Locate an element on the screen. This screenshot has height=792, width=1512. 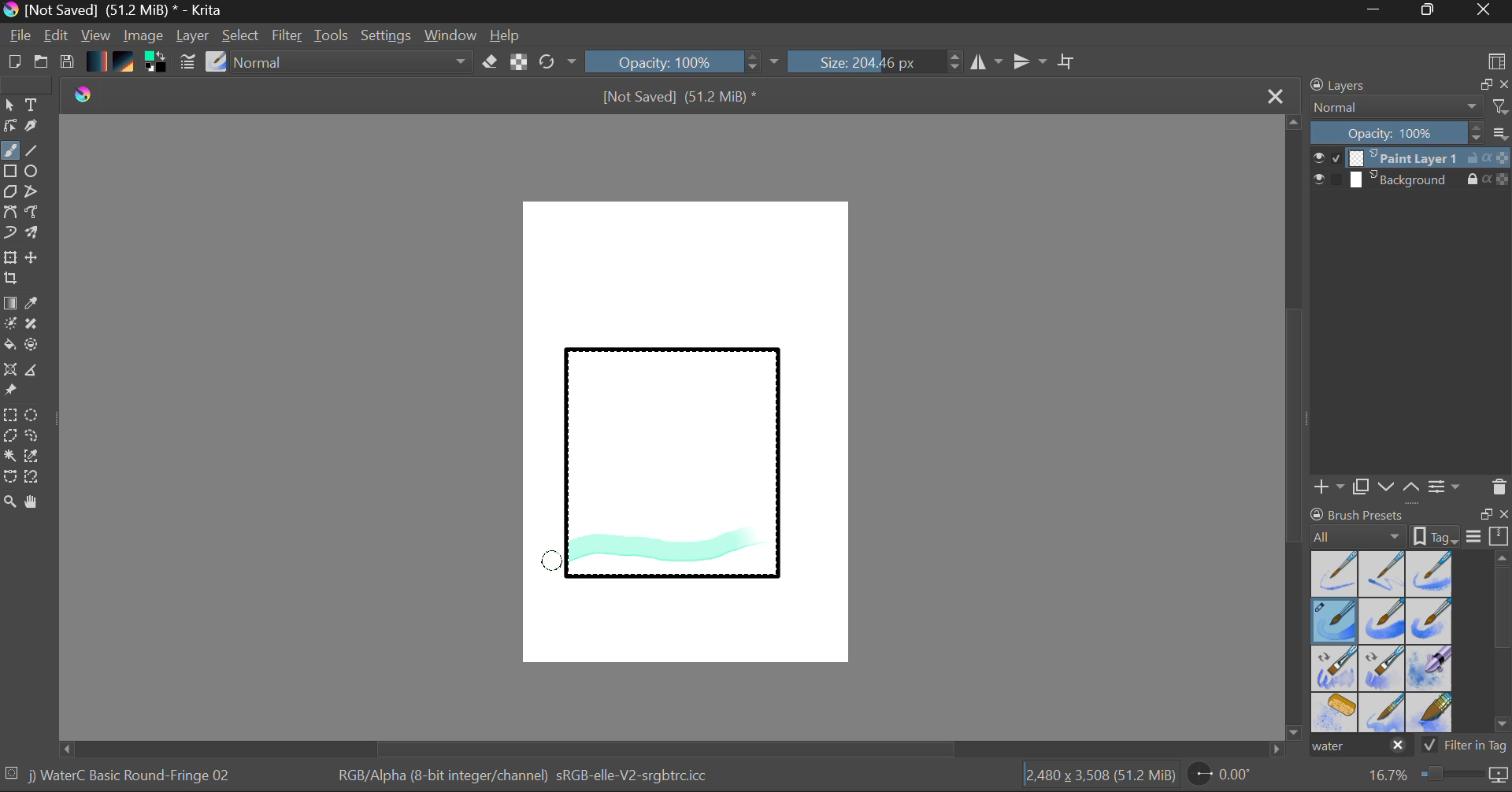
File Name & Size is located at coordinates (680, 98).